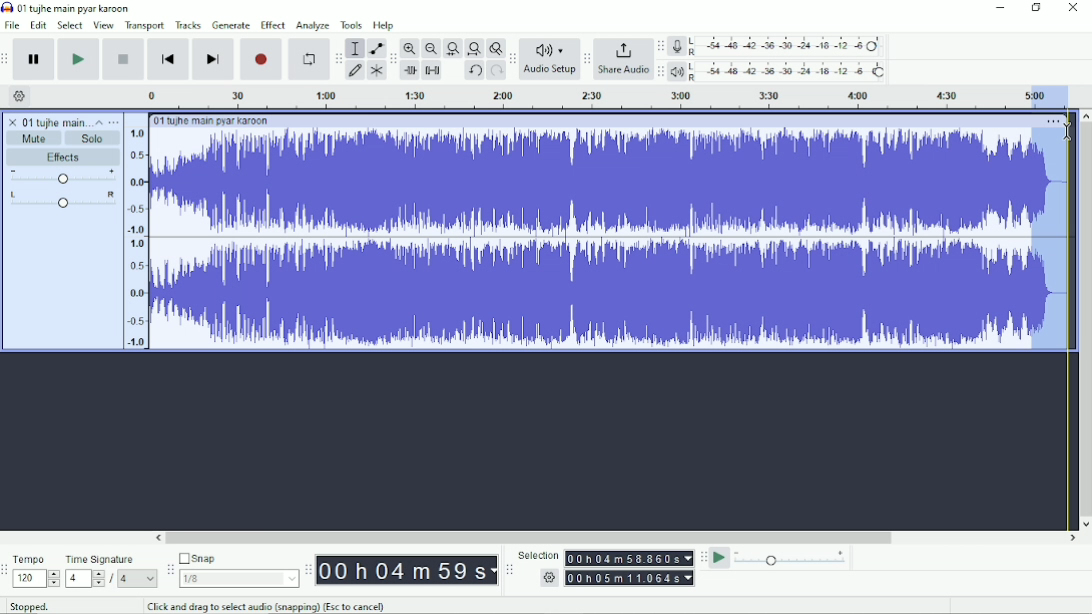 The height and width of the screenshot is (614, 1092). Describe the element at coordinates (549, 577) in the screenshot. I see `settings` at that location.